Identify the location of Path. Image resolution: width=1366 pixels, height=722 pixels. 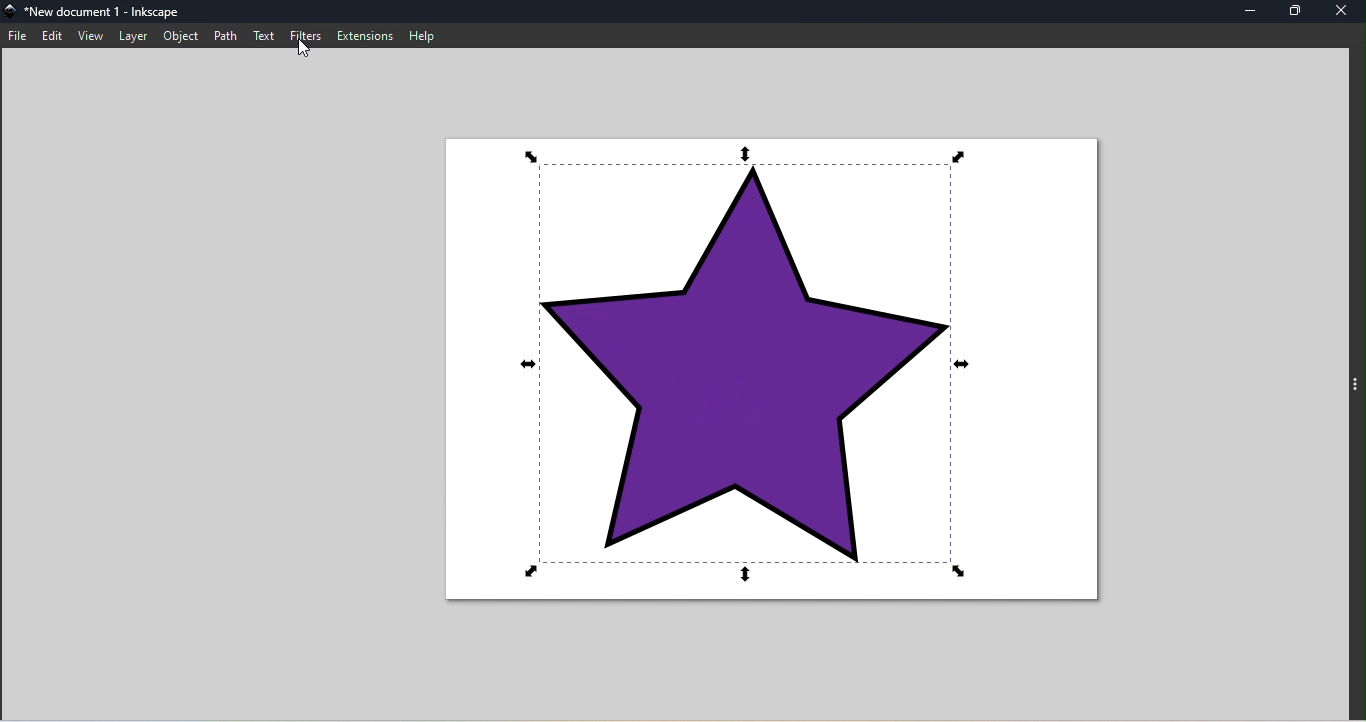
(225, 38).